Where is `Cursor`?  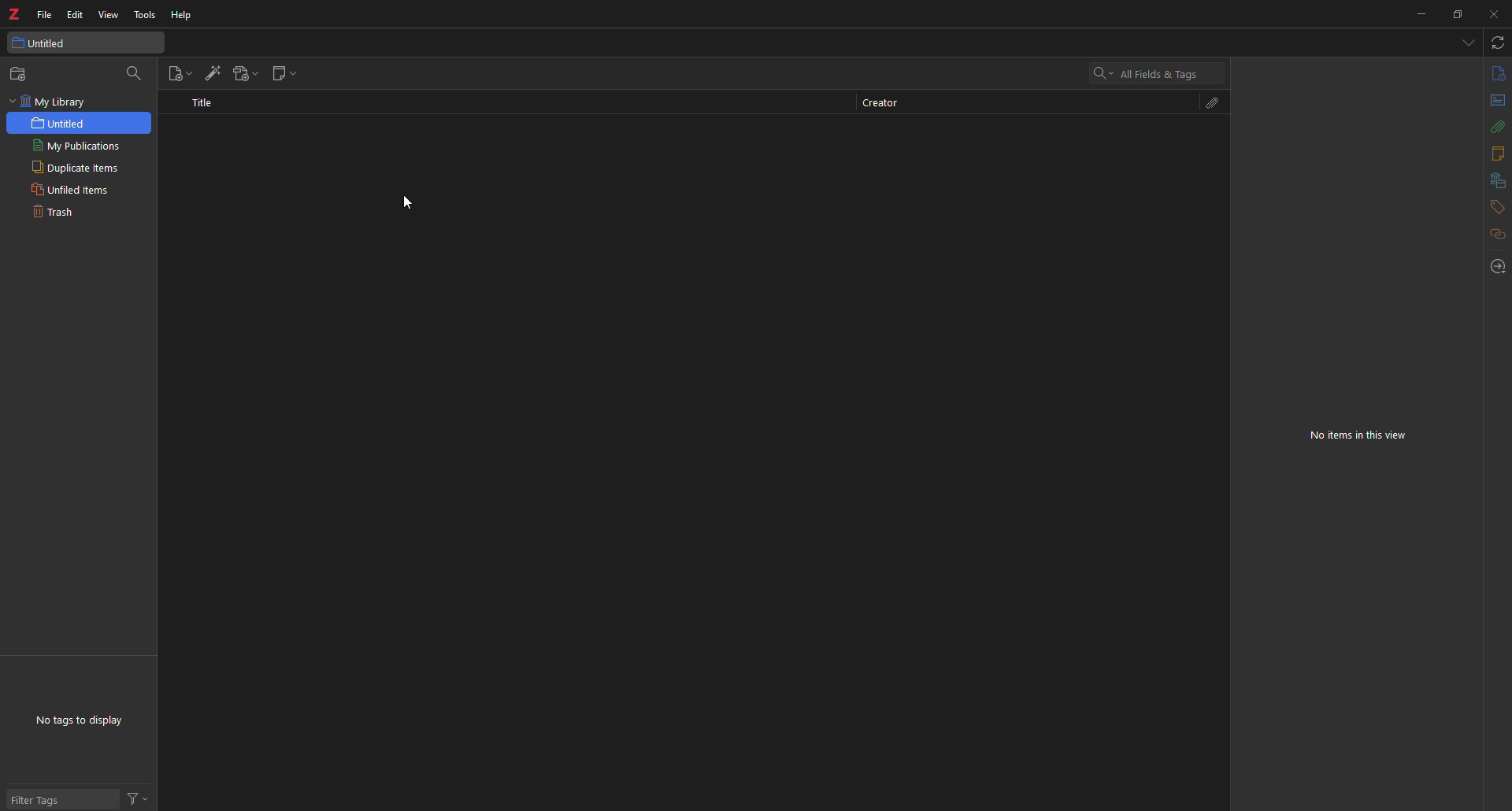 Cursor is located at coordinates (407, 203).